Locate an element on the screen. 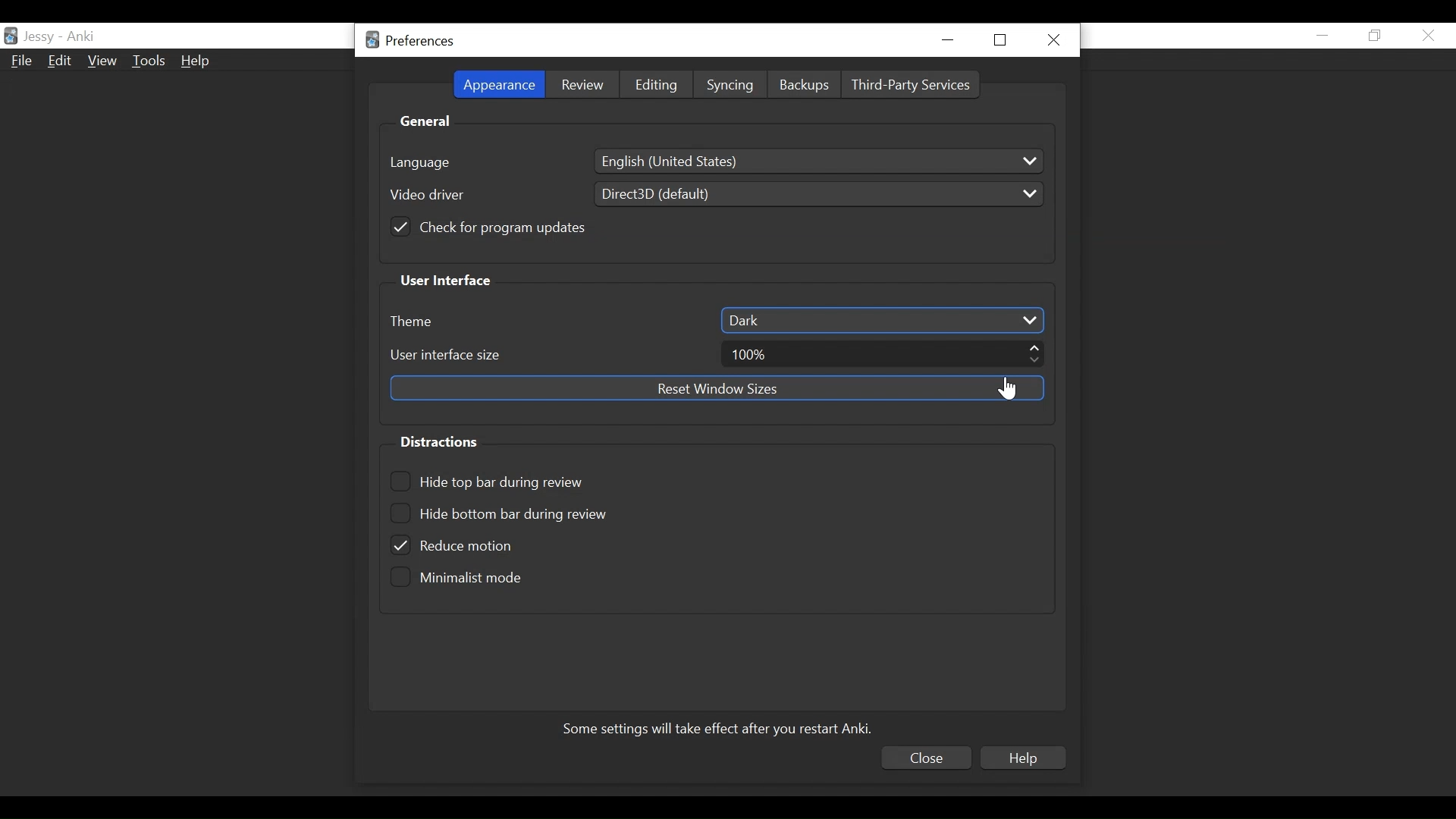 This screenshot has width=1456, height=819. User Interface size is located at coordinates (444, 354).